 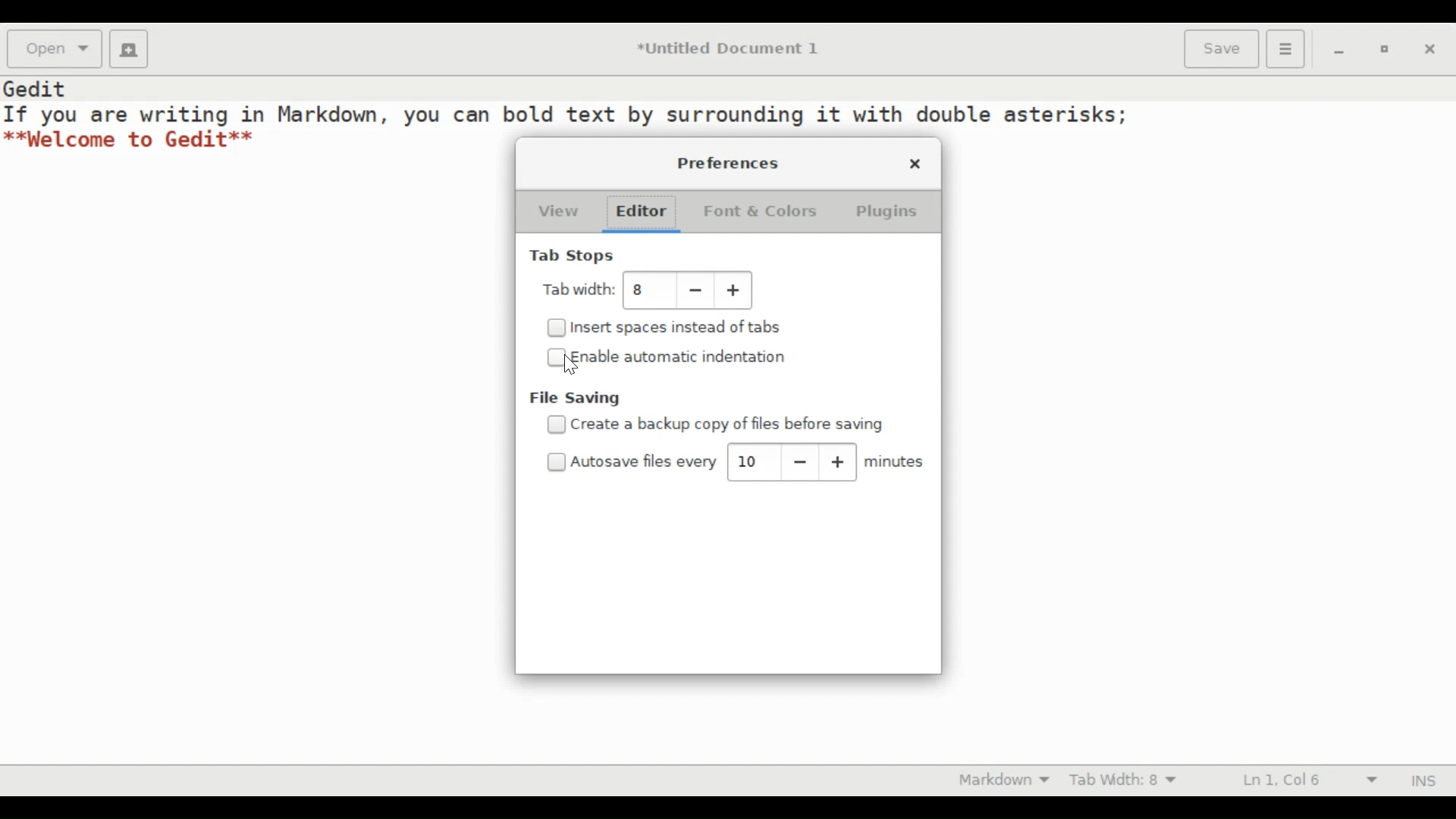 What do you see at coordinates (557, 424) in the screenshot?
I see `Checkbox` at bounding box center [557, 424].